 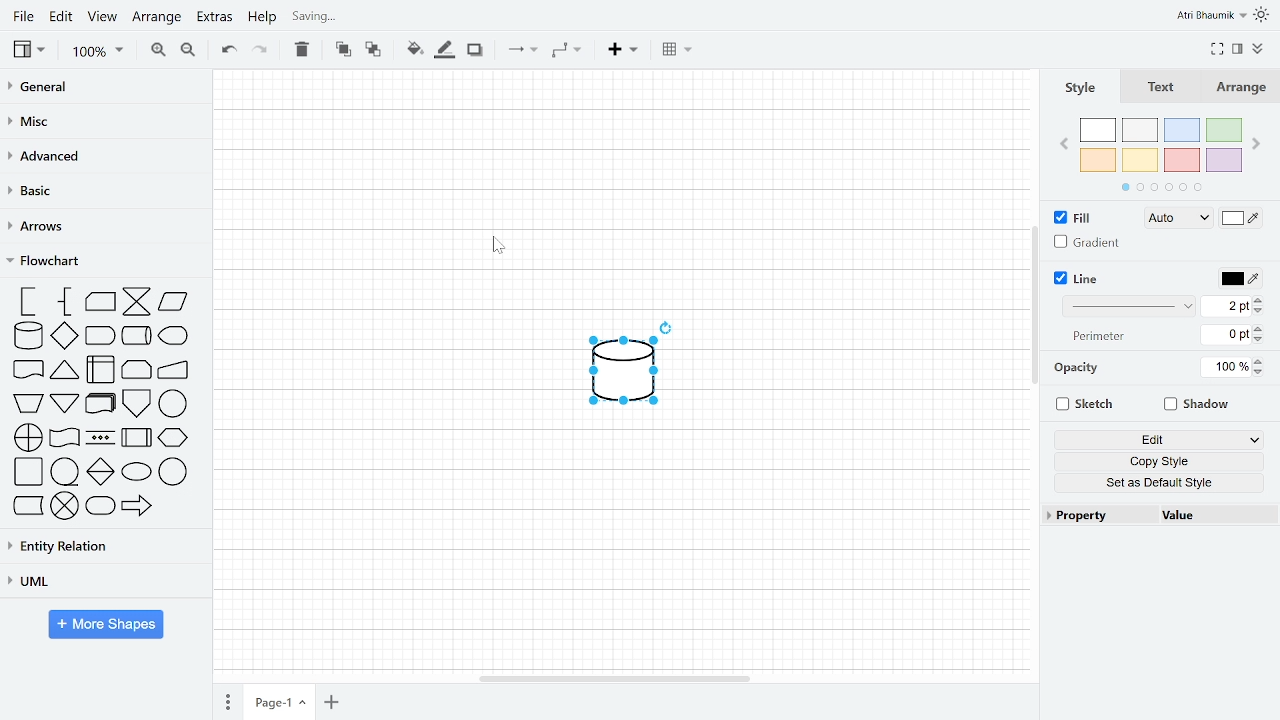 I want to click on Delete, so click(x=303, y=51).